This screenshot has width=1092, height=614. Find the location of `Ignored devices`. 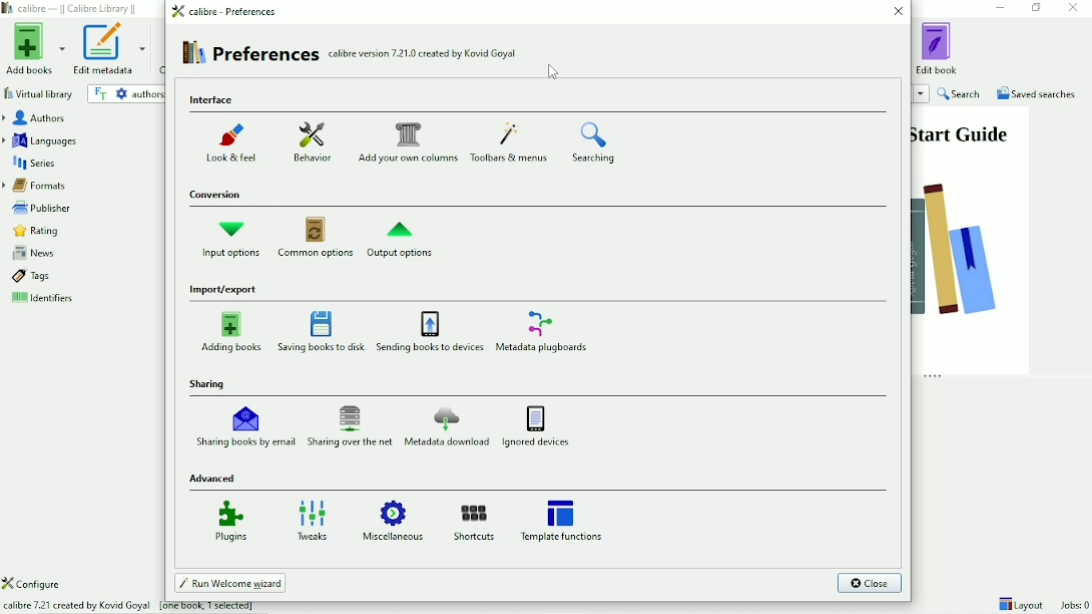

Ignored devices is located at coordinates (538, 426).